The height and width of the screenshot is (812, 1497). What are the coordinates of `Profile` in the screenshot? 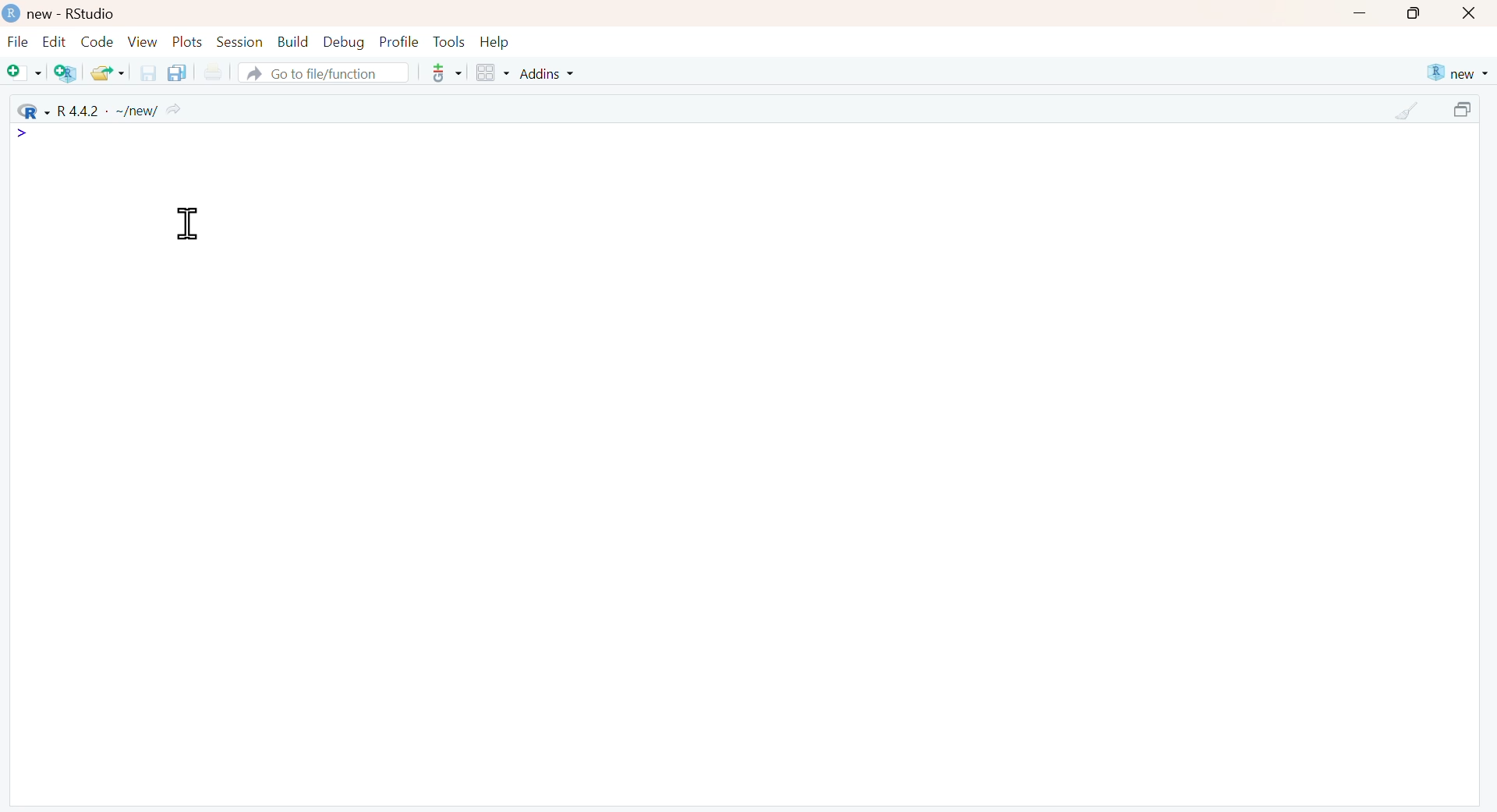 It's located at (401, 42).